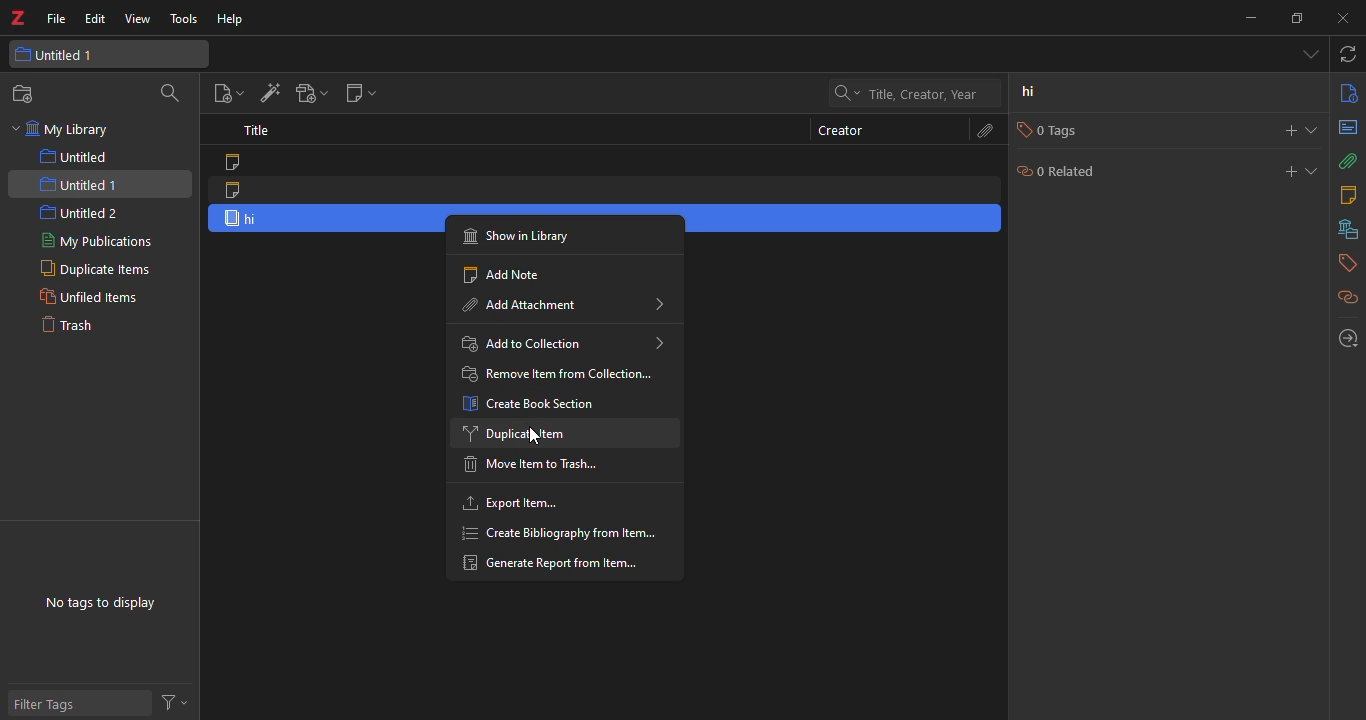 This screenshot has width=1366, height=720. Describe the element at coordinates (87, 297) in the screenshot. I see `unfiled items` at that location.